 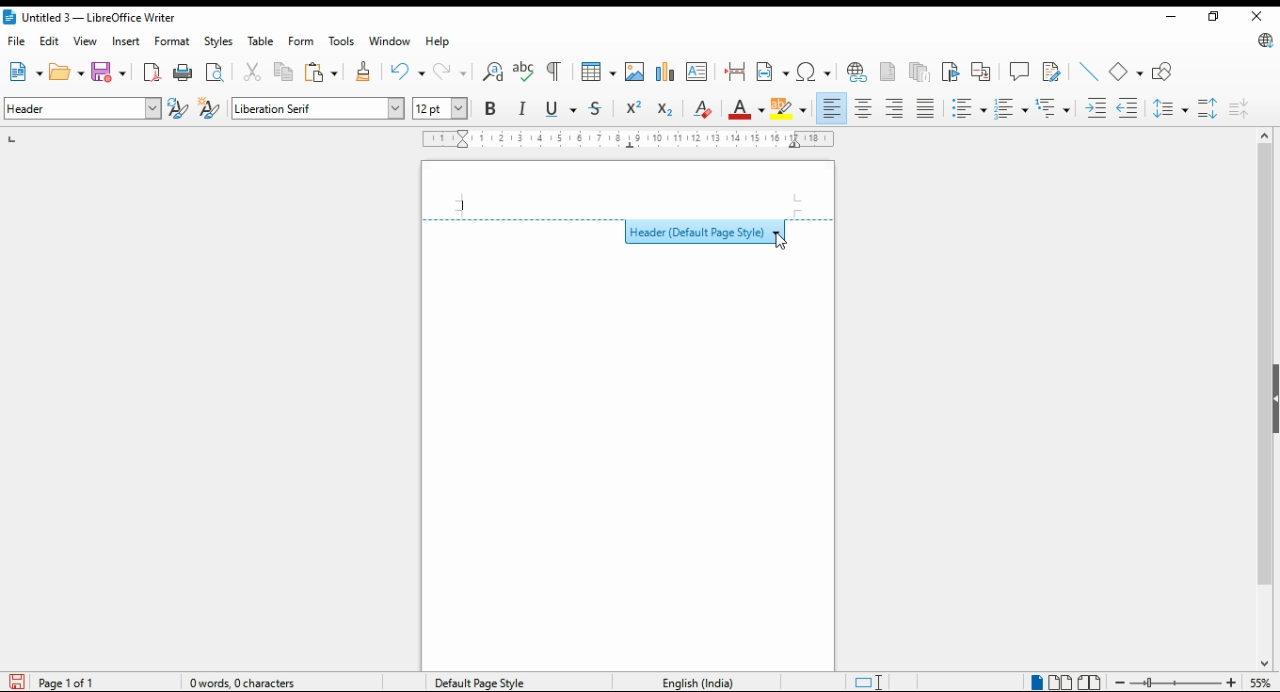 I want to click on italics, so click(x=523, y=108).